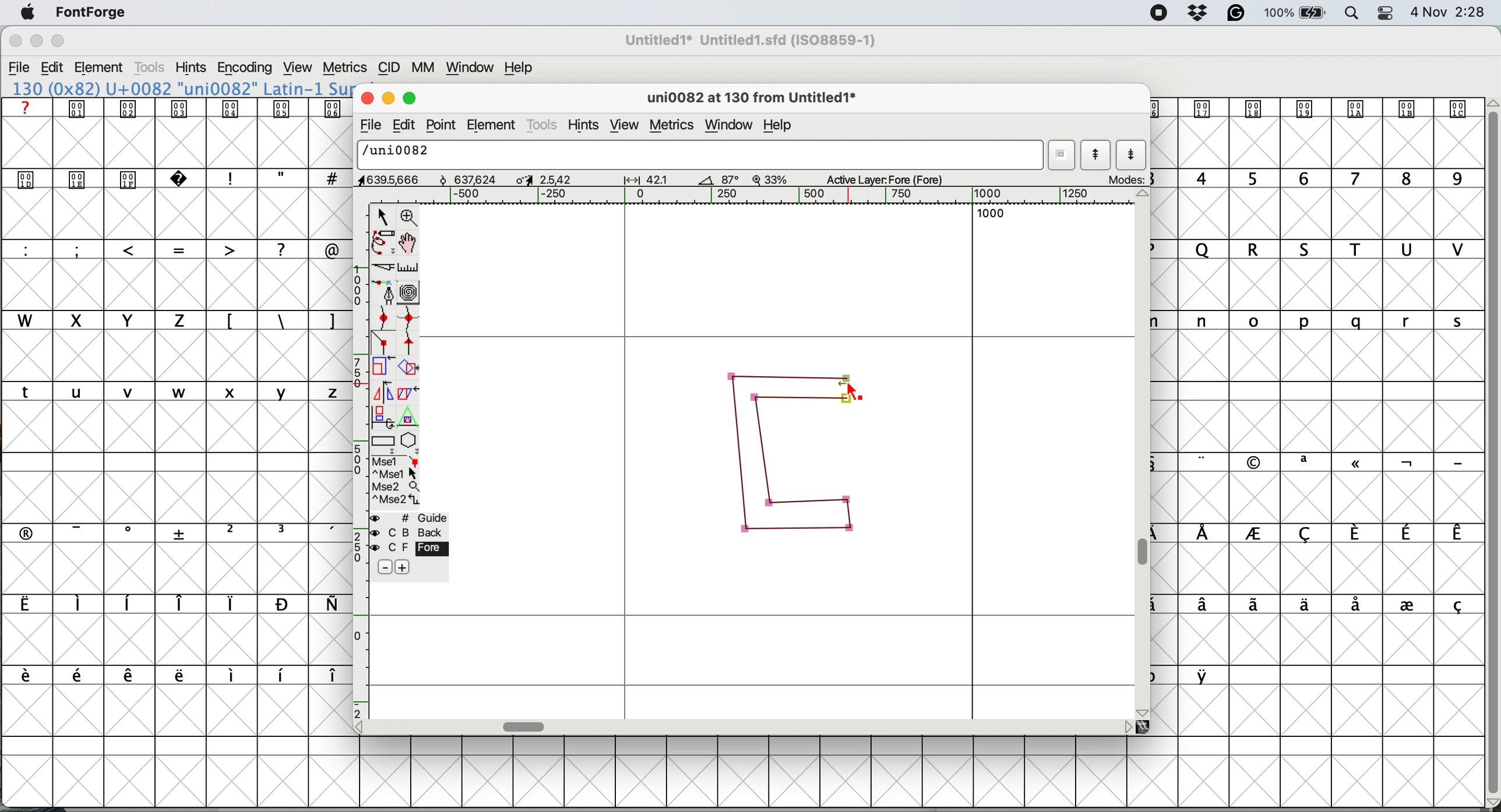 The height and width of the screenshot is (812, 1501). Describe the element at coordinates (492, 124) in the screenshot. I see `element` at that location.